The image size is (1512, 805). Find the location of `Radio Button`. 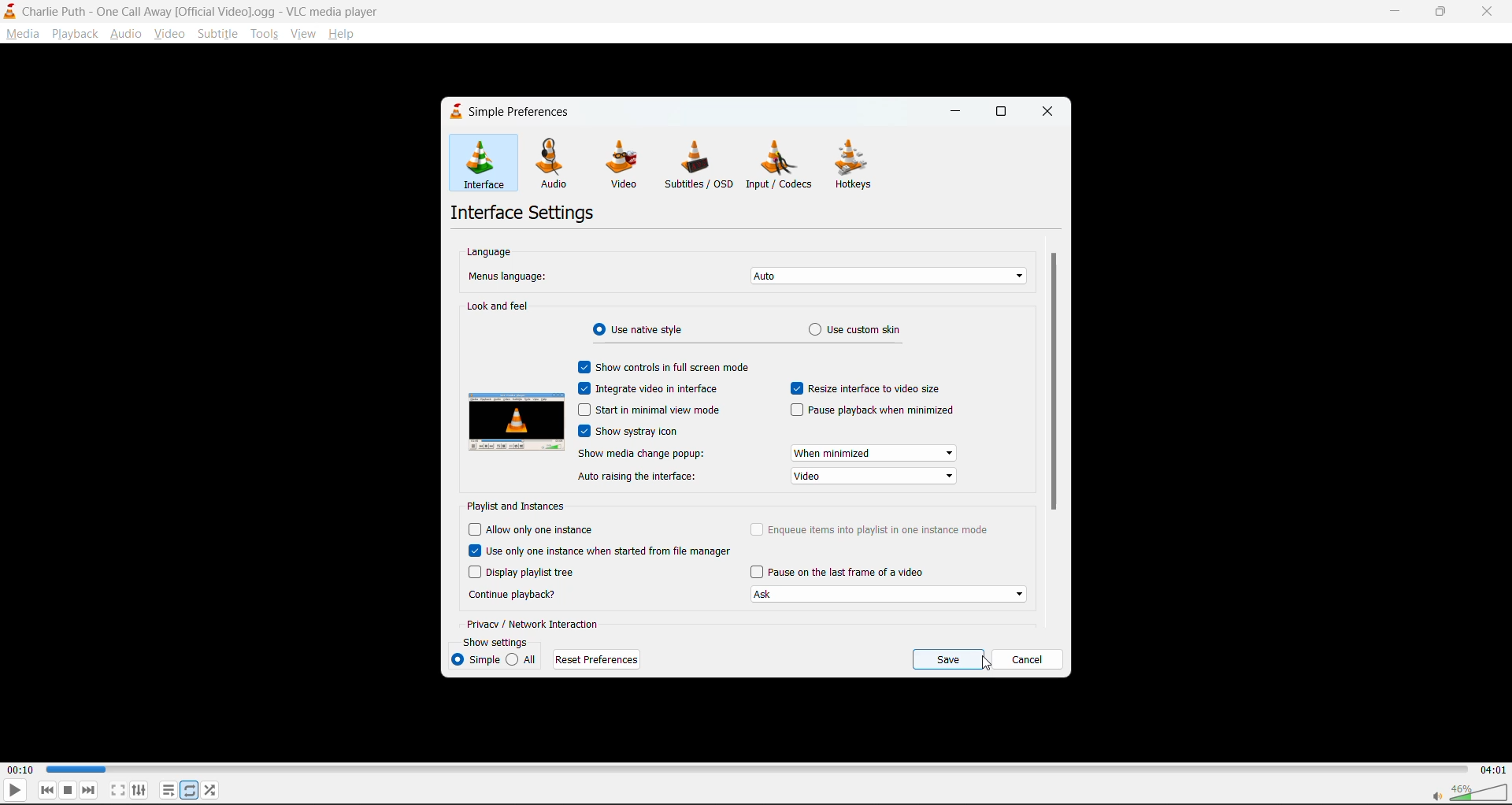

Radio Button is located at coordinates (813, 330).